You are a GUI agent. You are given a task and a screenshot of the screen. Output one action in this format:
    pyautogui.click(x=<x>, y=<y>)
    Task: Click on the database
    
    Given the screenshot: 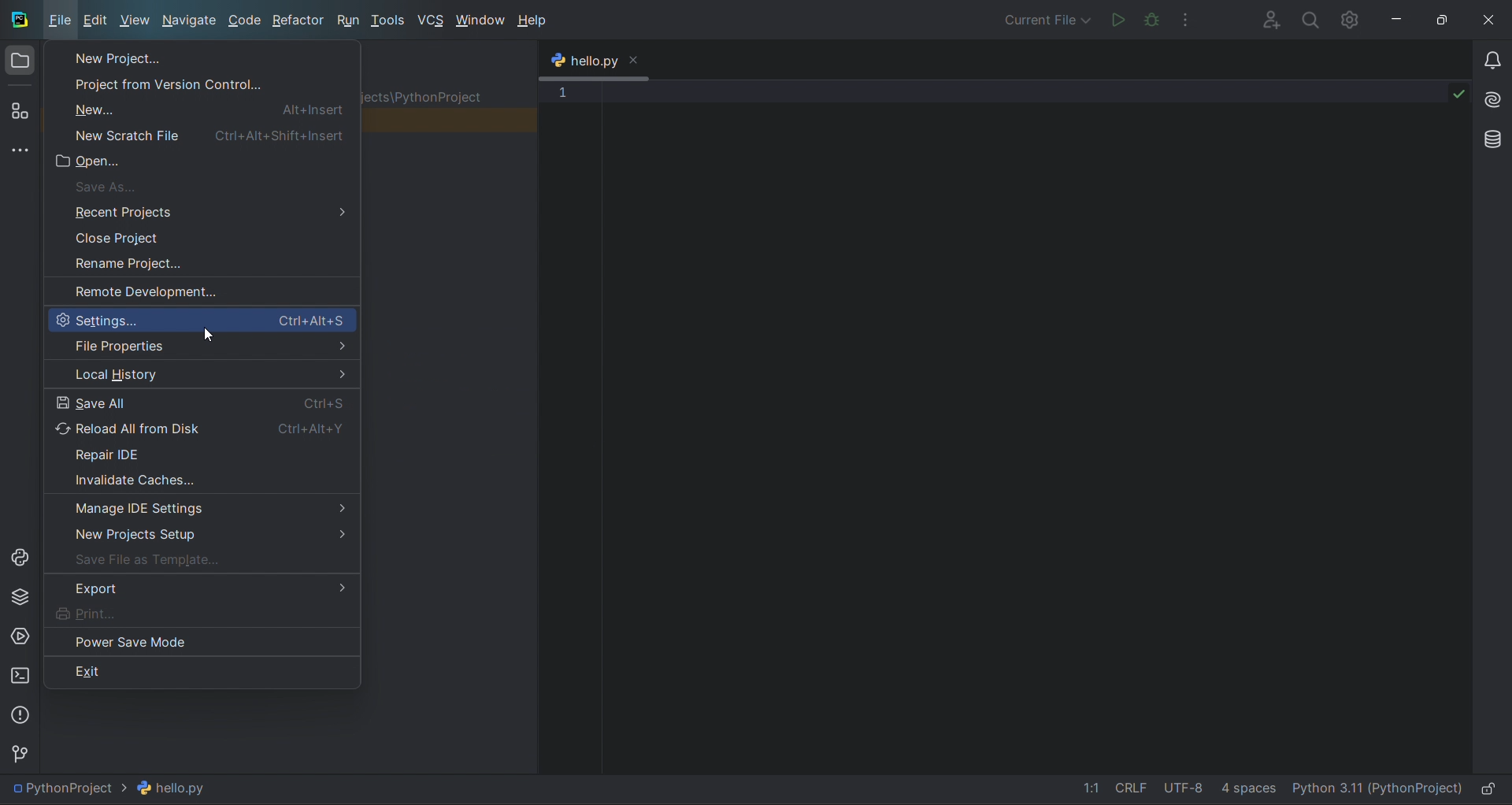 What is the action you would take?
    pyautogui.click(x=1492, y=141)
    